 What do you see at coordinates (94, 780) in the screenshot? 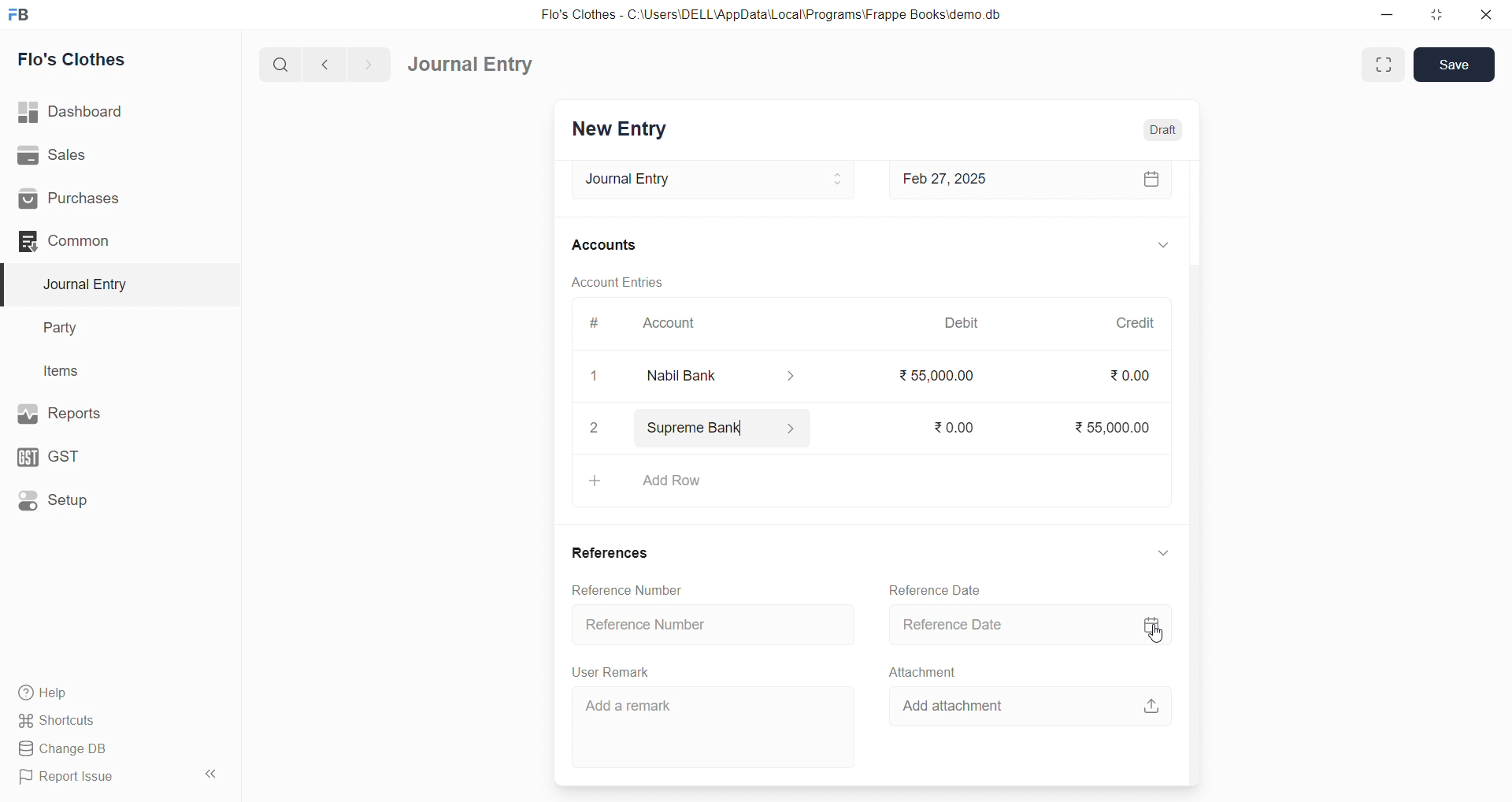
I see `Report Issue` at bounding box center [94, 780].